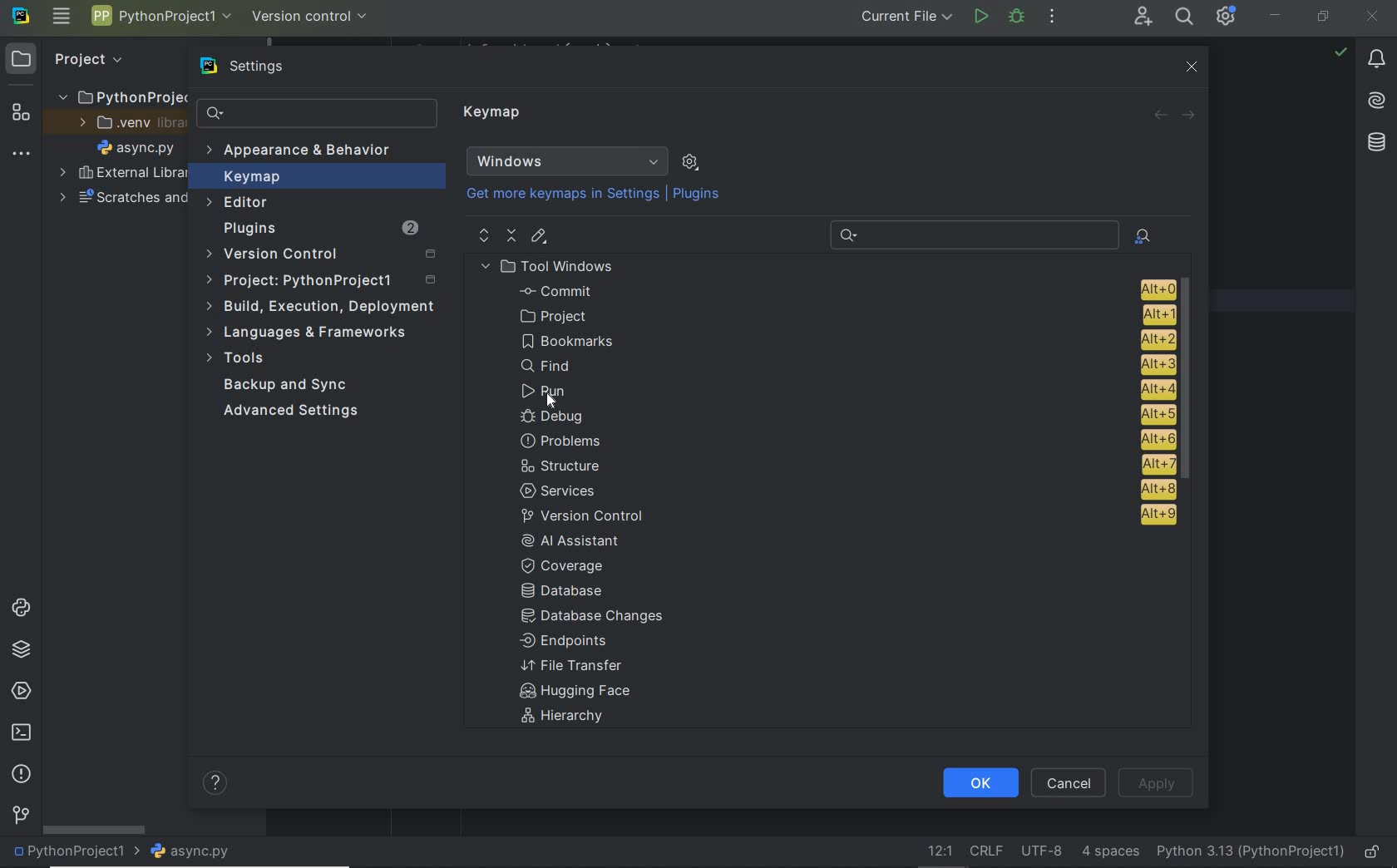 This screenshot has width=1397, height=868. Describe the element at coordinates (554, 266) in the screenshot. I see `Tool Windows` at that location.